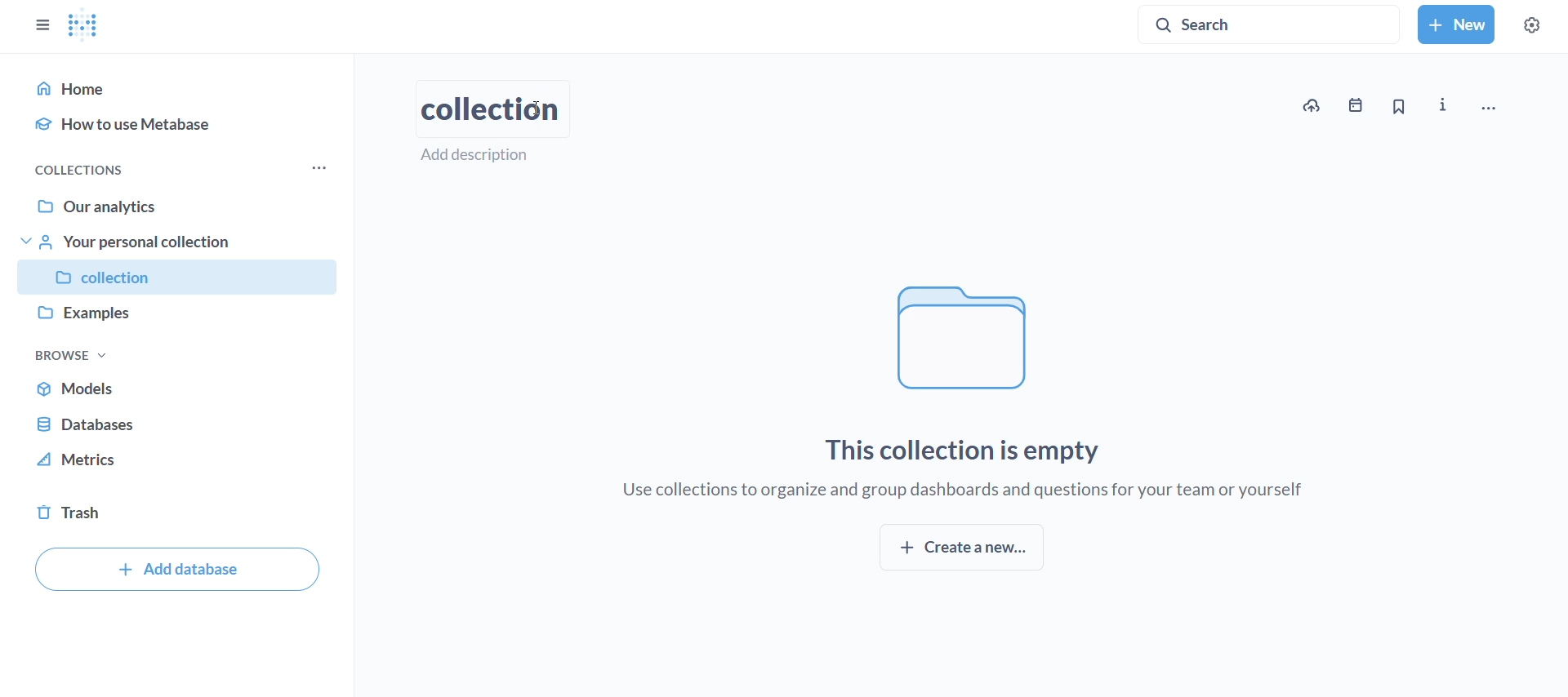 Image resolution: width=1568 pixels, height=697 pixels. I want to click on more info, so click(1446, 105).